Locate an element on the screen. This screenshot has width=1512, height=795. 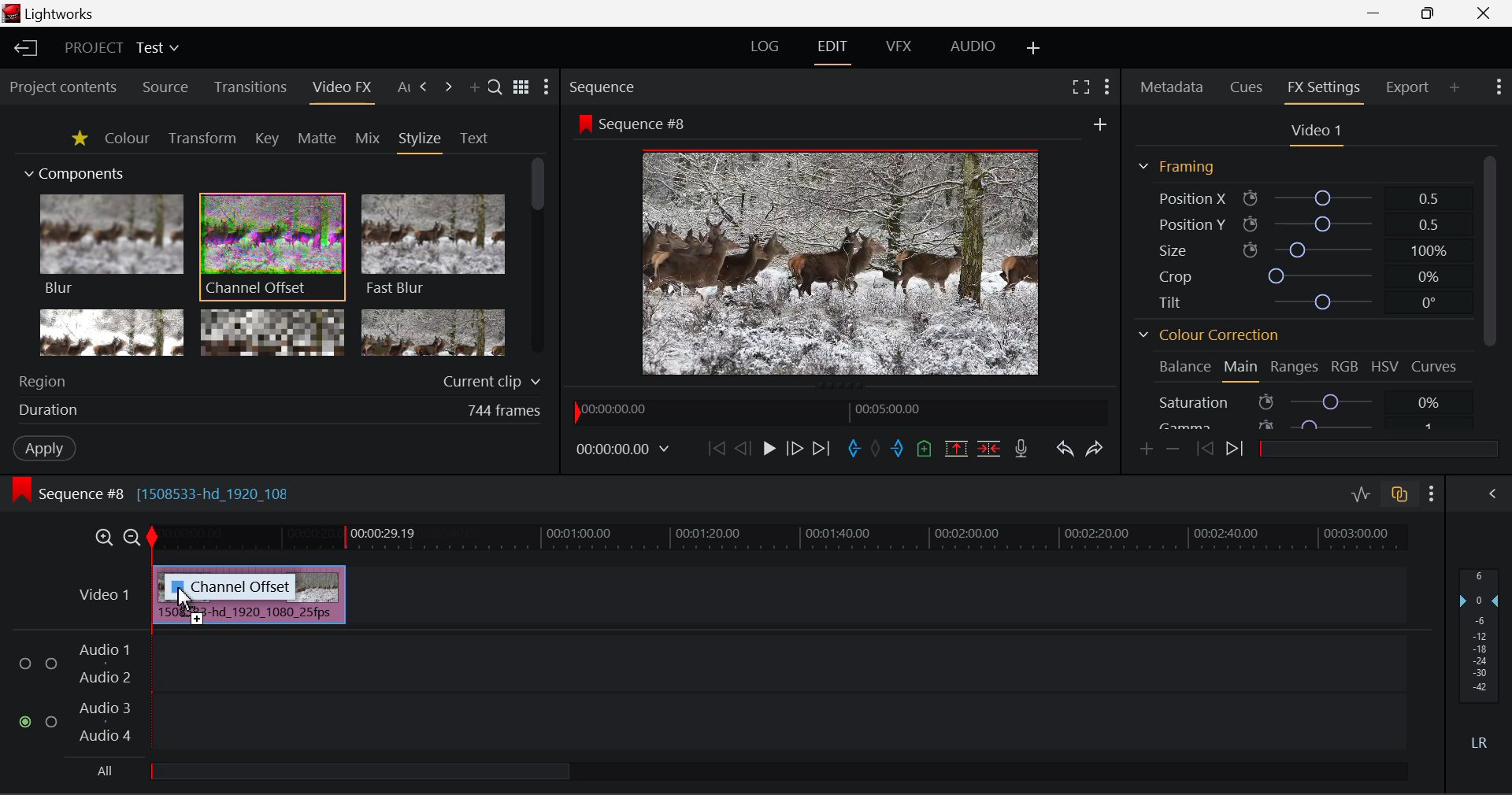
Previous keyframe is located at coordinates (1206, 449).